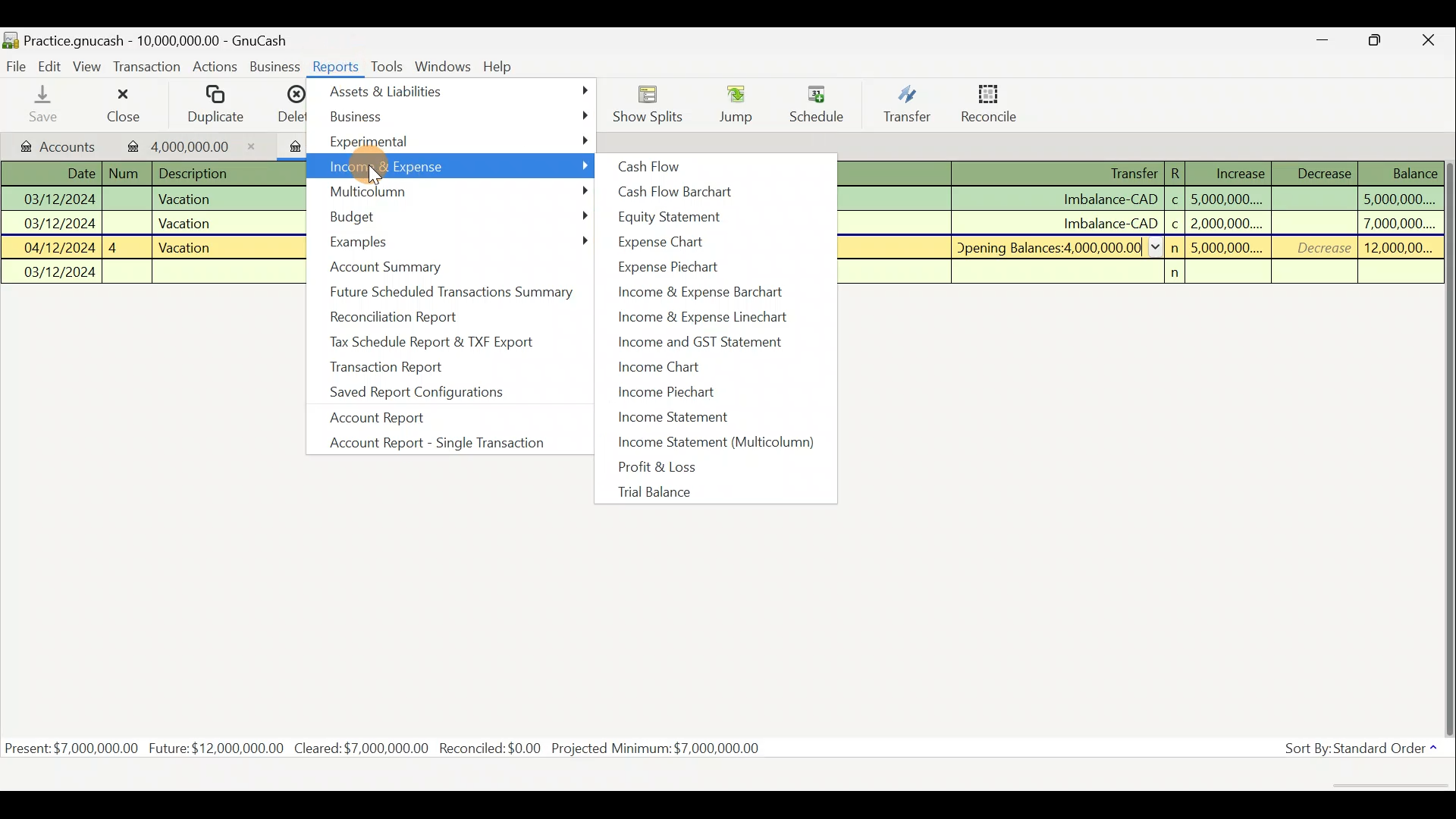  What do you see at coordinates (62, 198) in the screenshot?
I see `03/12/2024 |` at bounding box center [62, 198].